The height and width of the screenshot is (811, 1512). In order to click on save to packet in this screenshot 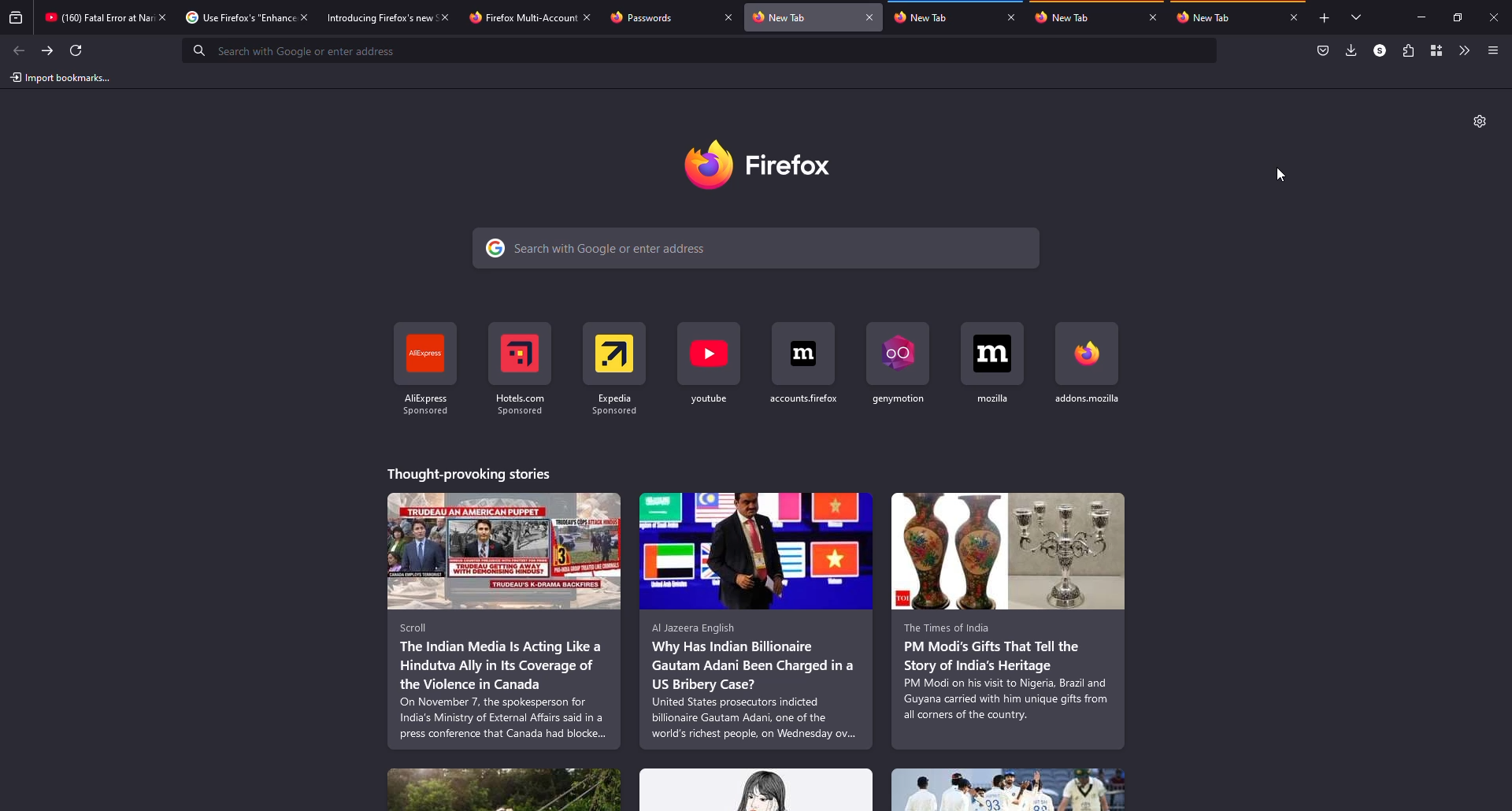, I will do `click(1321, 50)`.